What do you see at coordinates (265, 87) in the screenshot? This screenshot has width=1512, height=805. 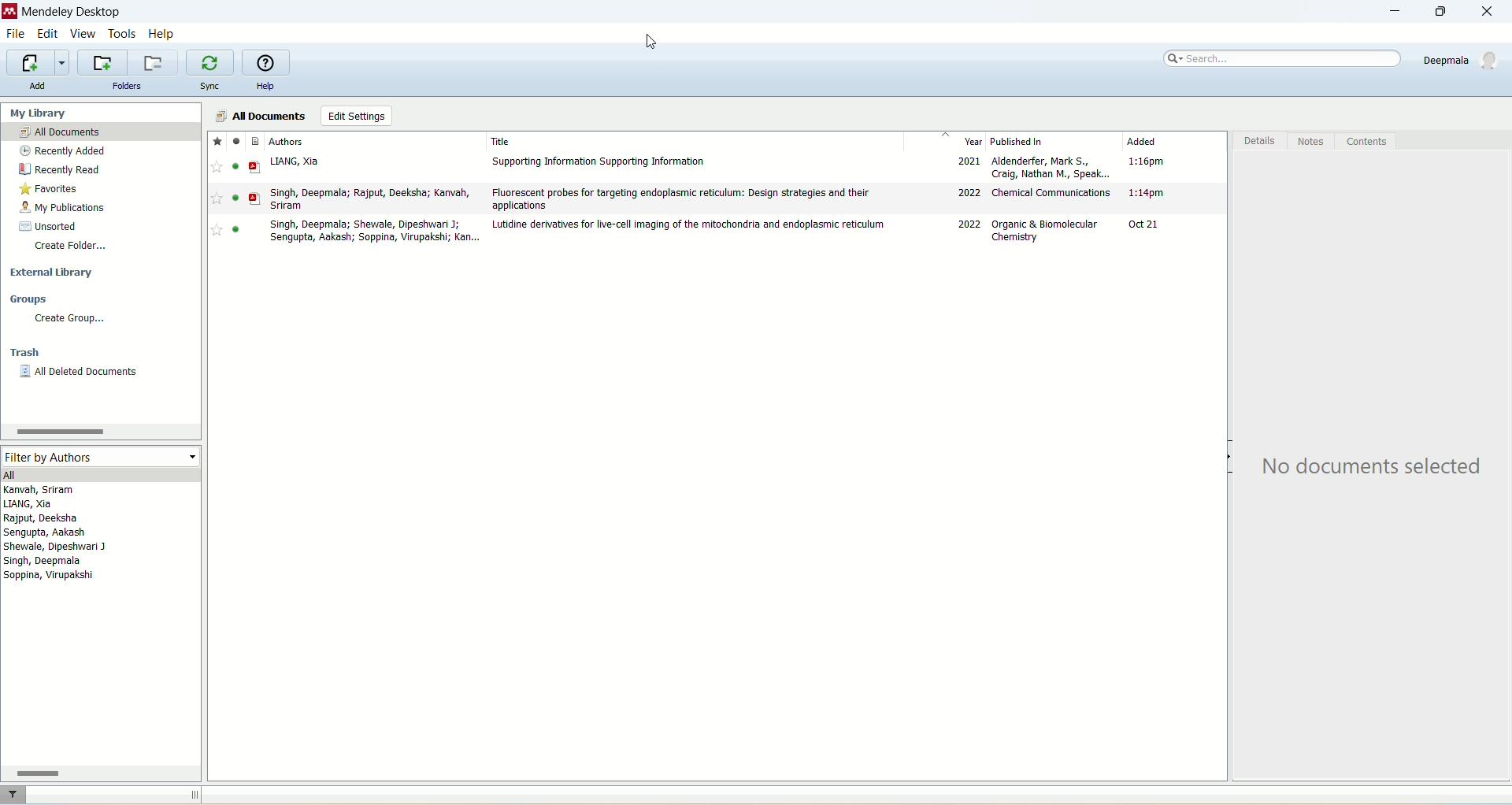 I see `help` at bounding box center [265, 87].